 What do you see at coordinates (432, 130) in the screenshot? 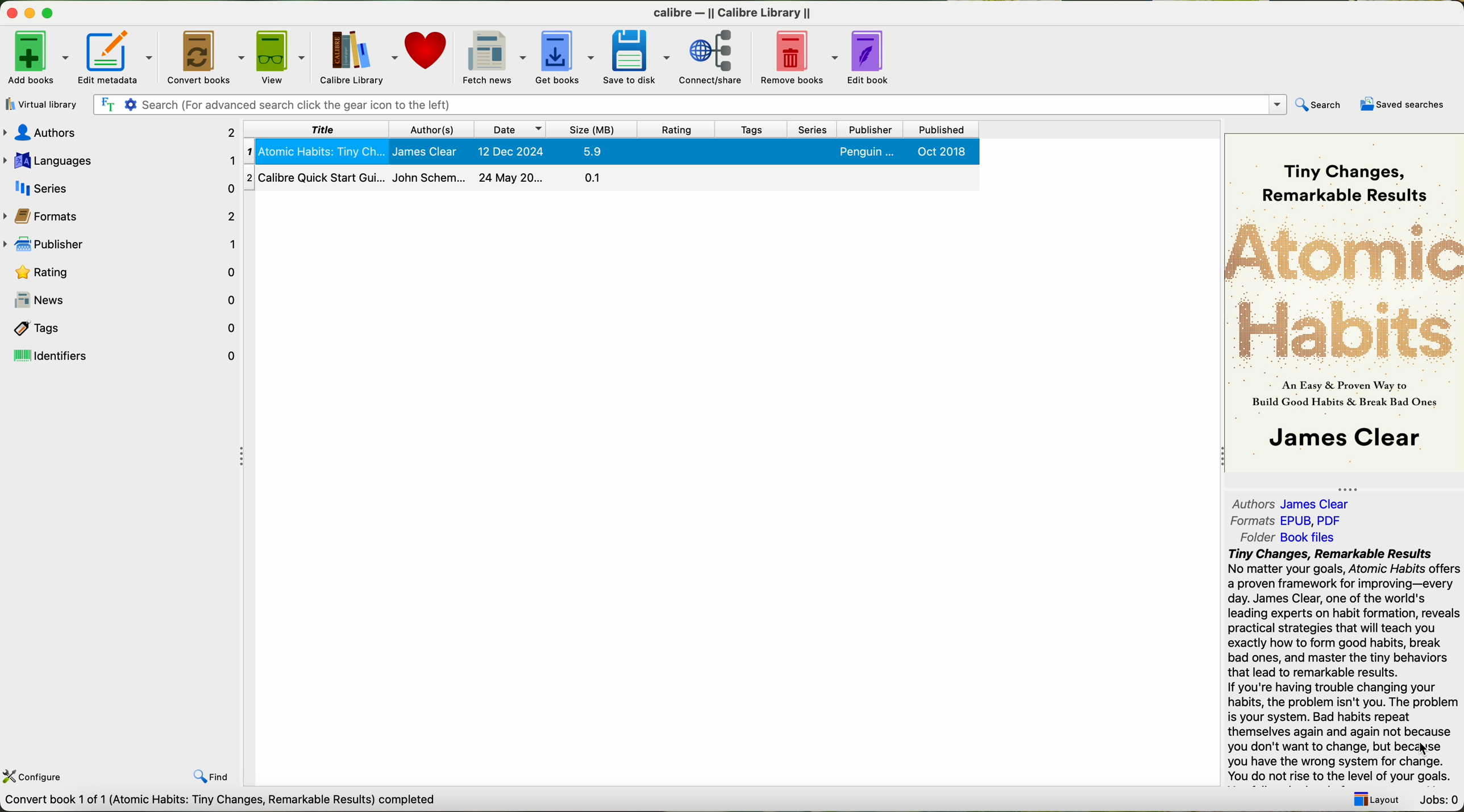
I see `authors` at bounding box center [432, 130].